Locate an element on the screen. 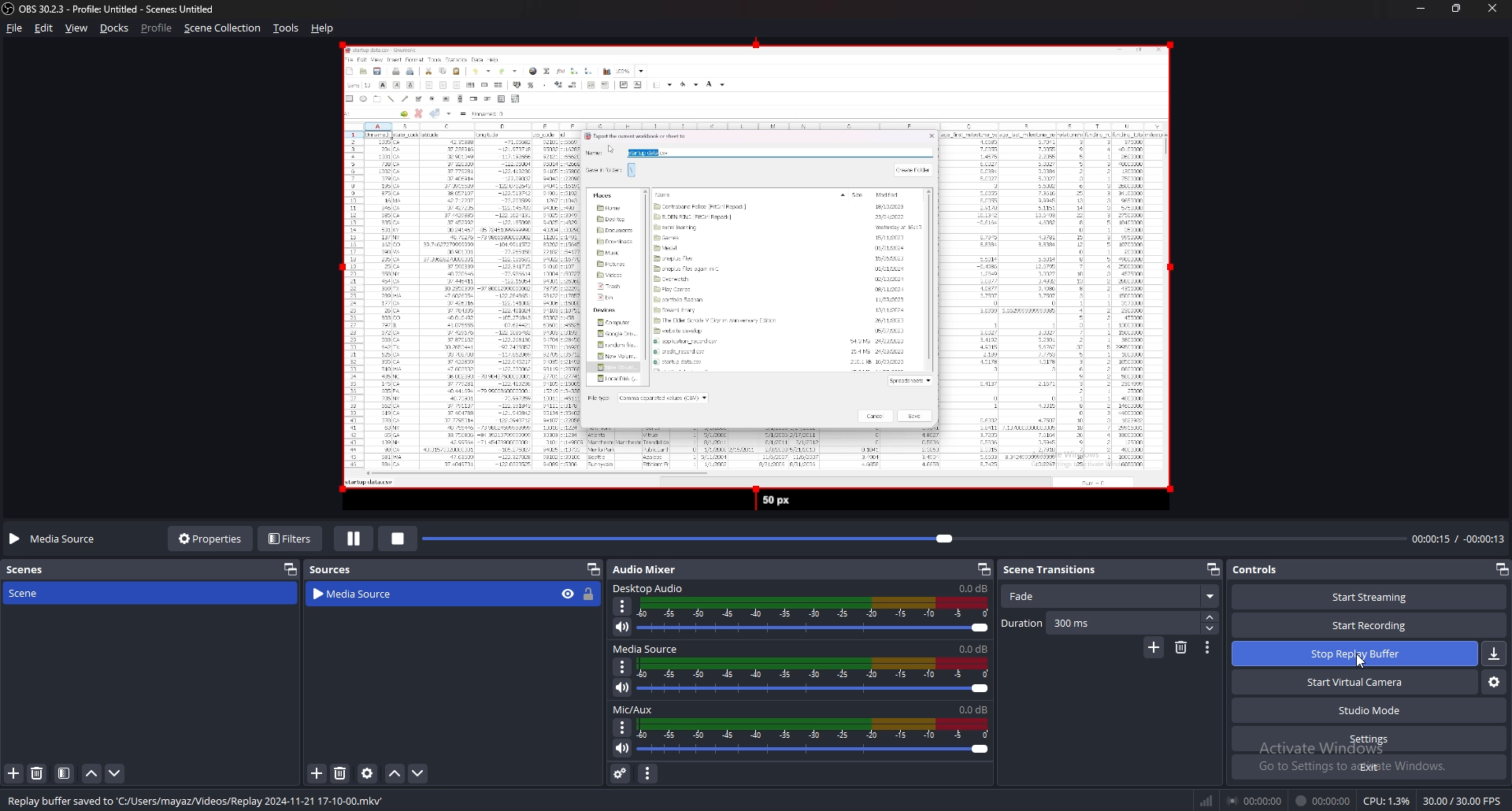 Image resolution: width=1512 pixels, height=811 pixels. docks is located at coordinates (115, 28).